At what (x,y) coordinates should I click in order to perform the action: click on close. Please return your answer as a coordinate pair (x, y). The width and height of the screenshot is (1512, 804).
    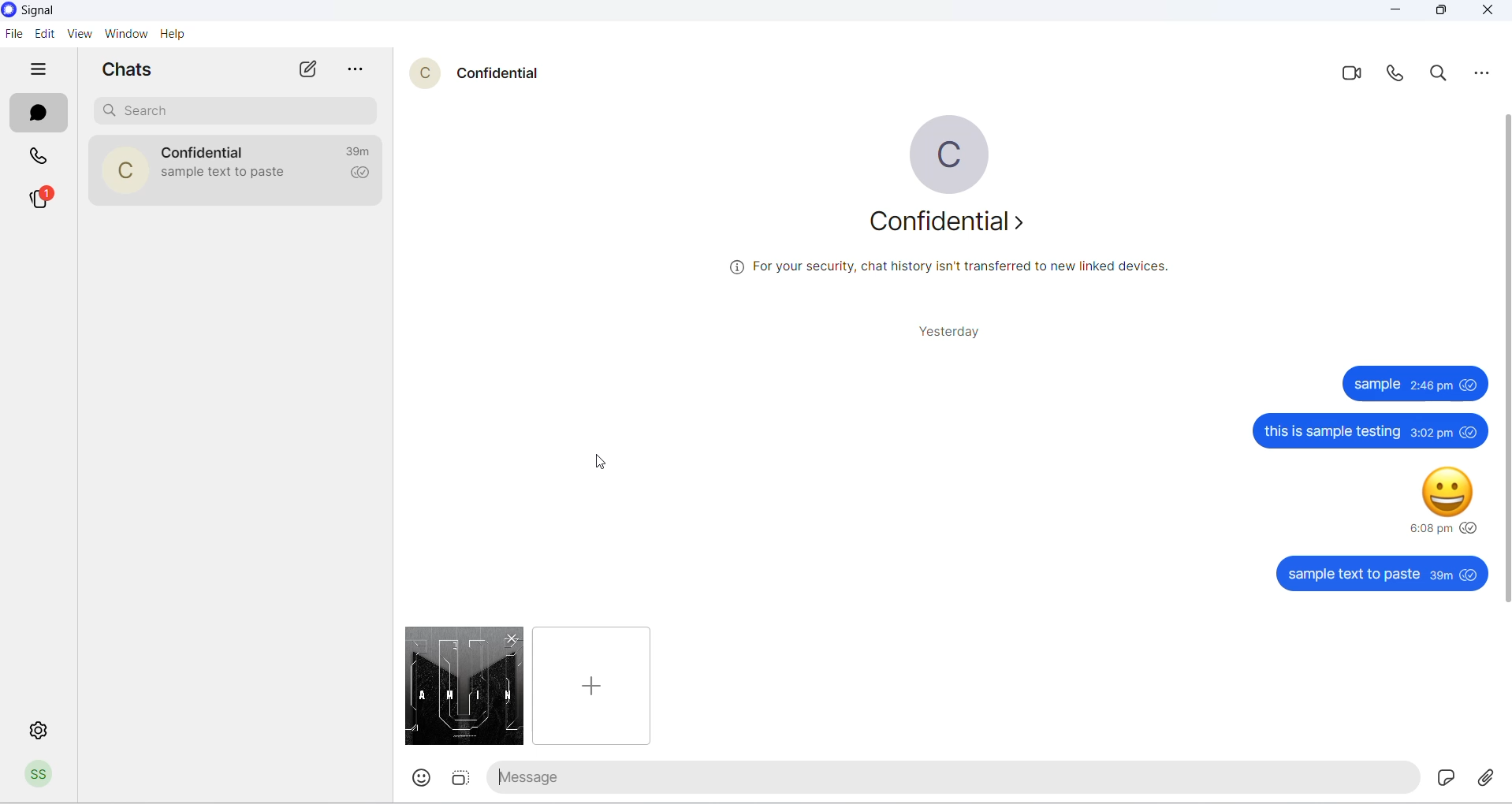
    Looking at the image, I should click on (1486, 13).